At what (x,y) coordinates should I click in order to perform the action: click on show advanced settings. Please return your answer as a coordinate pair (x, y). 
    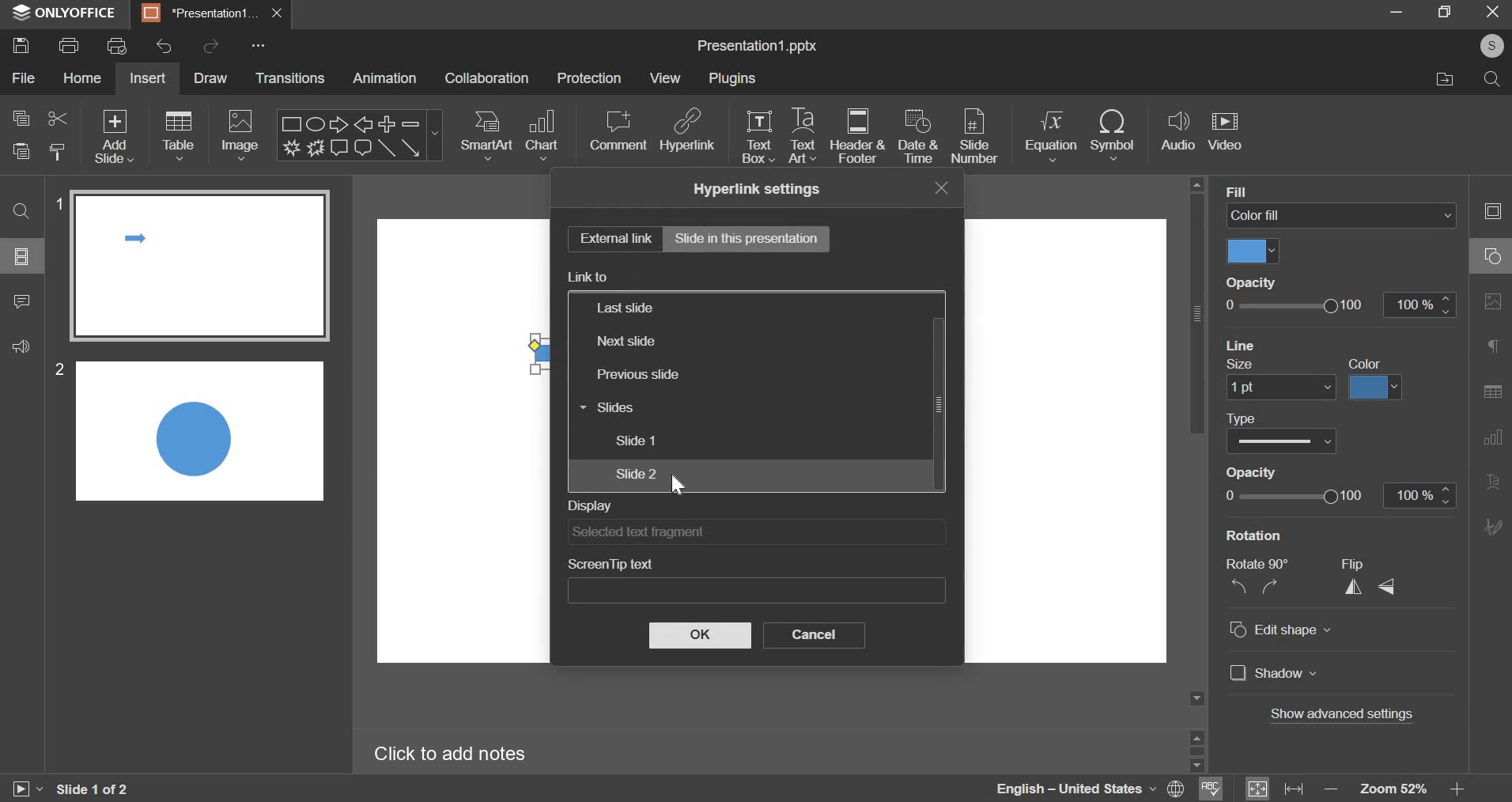
    Looking at the image, I should click on (1340, 715).